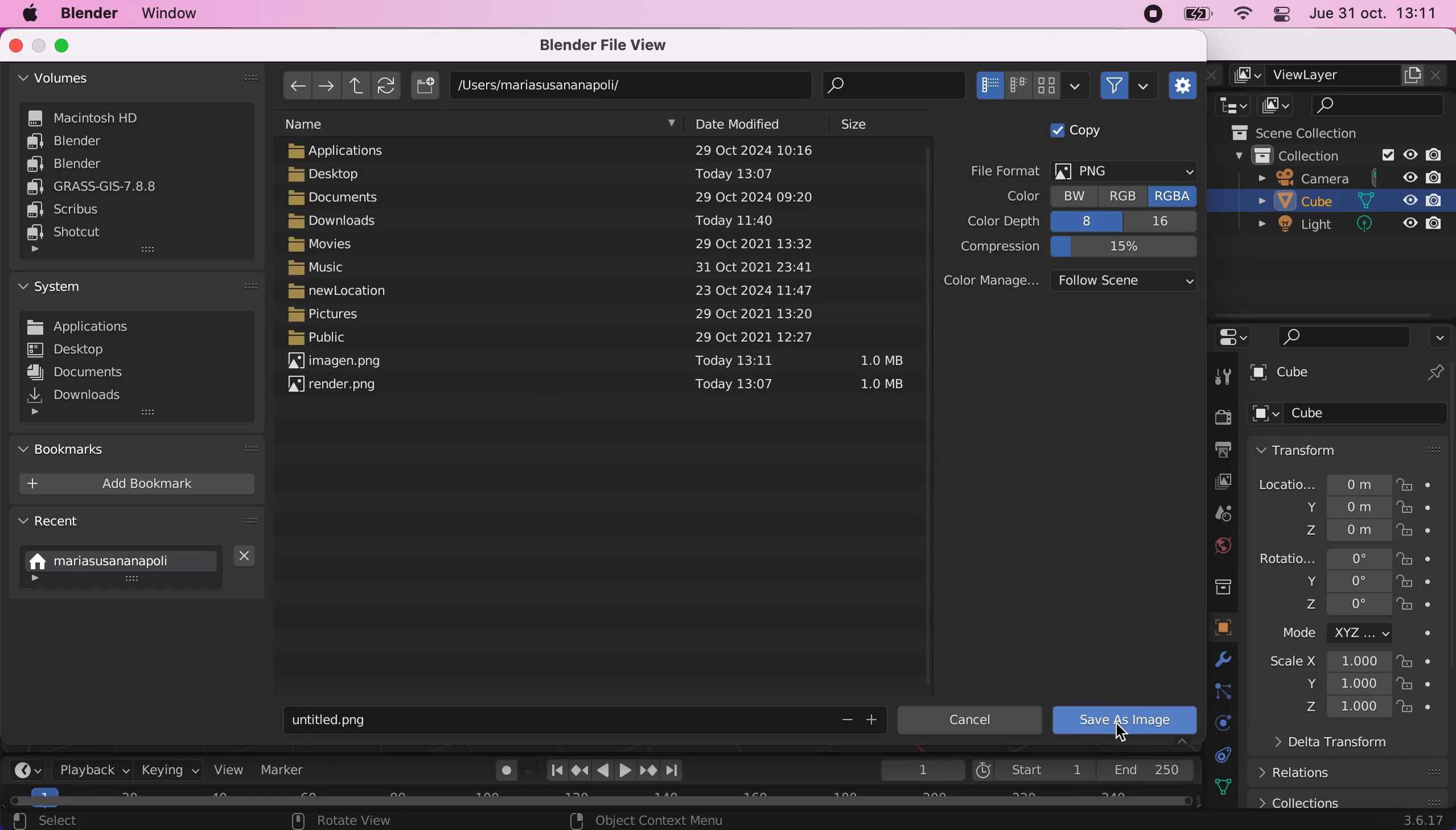 This screenshot has height=830, width=1456. Describe the element at coordinates (1354, 414) in the screenshot. I see `cube options` at that location.